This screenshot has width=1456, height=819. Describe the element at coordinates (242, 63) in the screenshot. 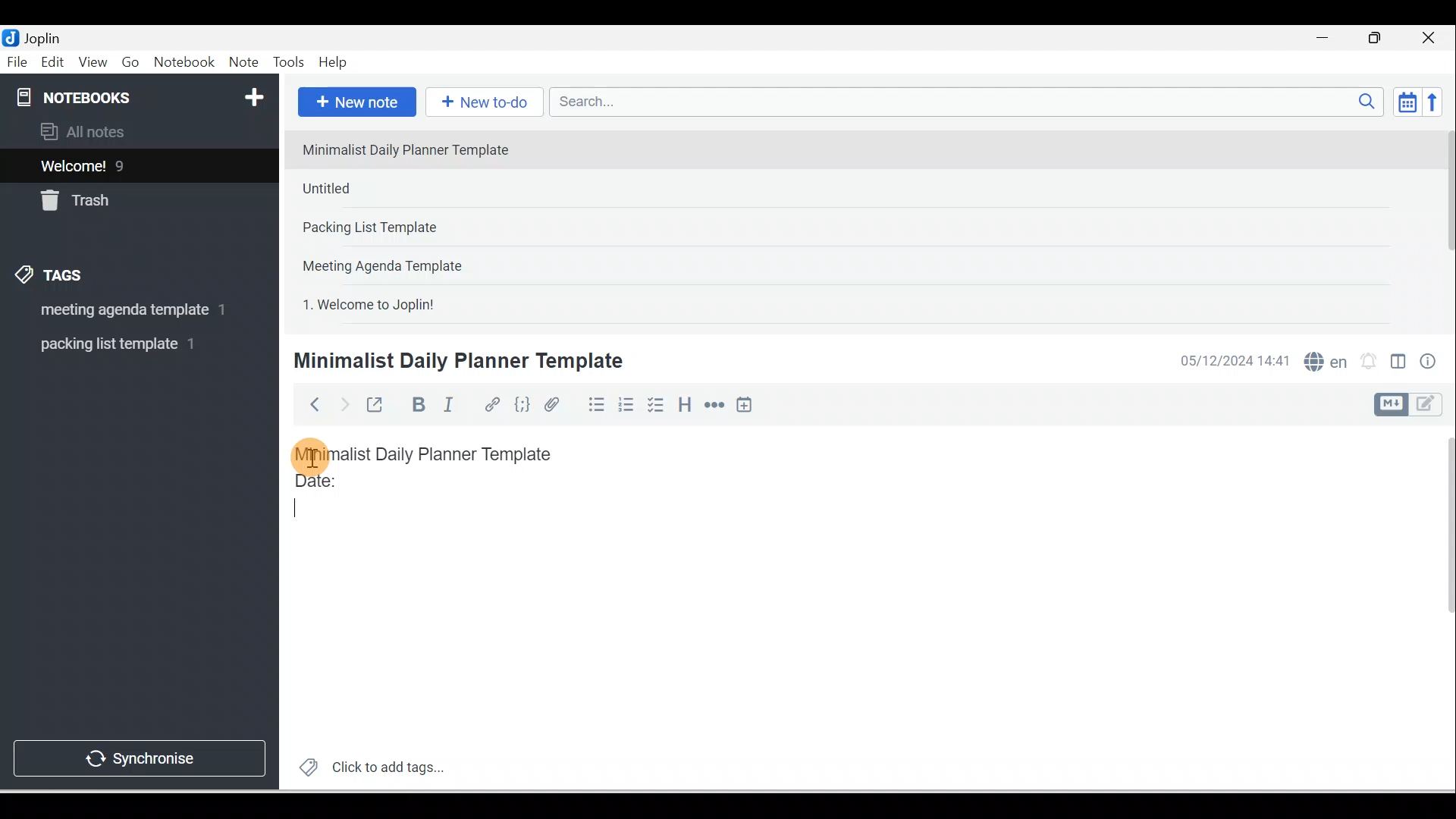

I see `Note` at that location.